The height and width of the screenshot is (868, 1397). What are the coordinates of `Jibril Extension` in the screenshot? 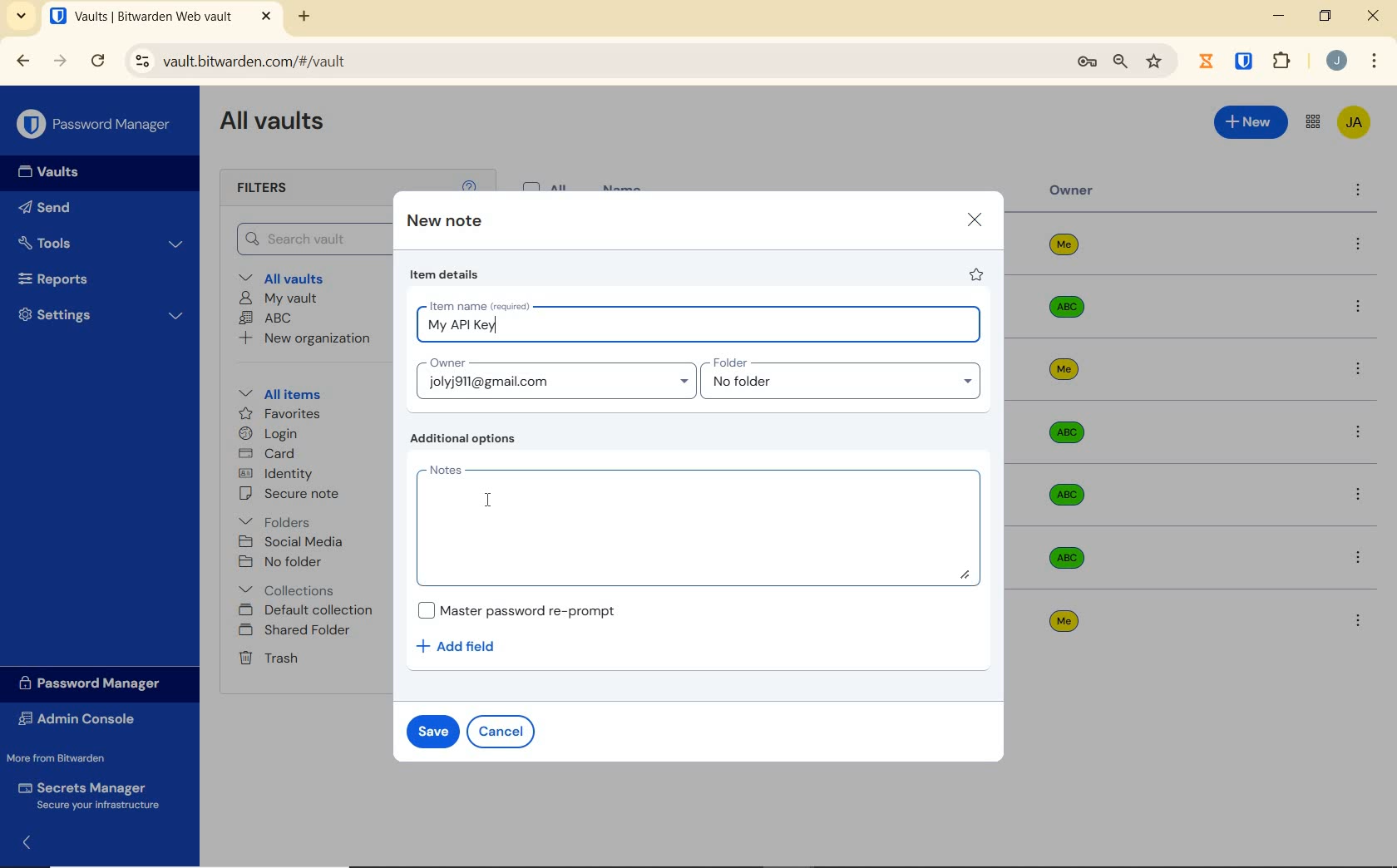 It's located at (1208, 61).